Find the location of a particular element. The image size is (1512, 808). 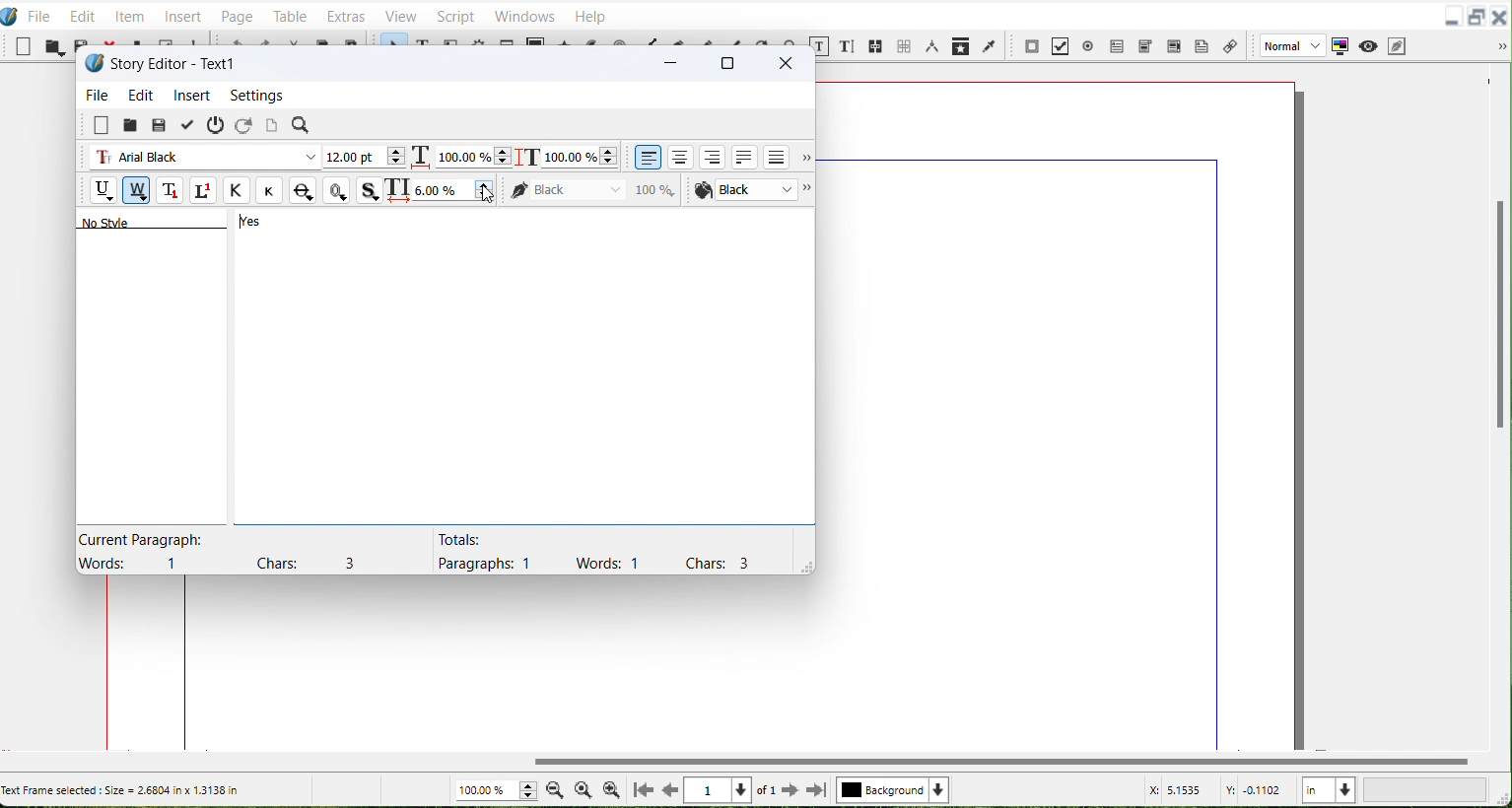

File is located at coordinates (40, 14).